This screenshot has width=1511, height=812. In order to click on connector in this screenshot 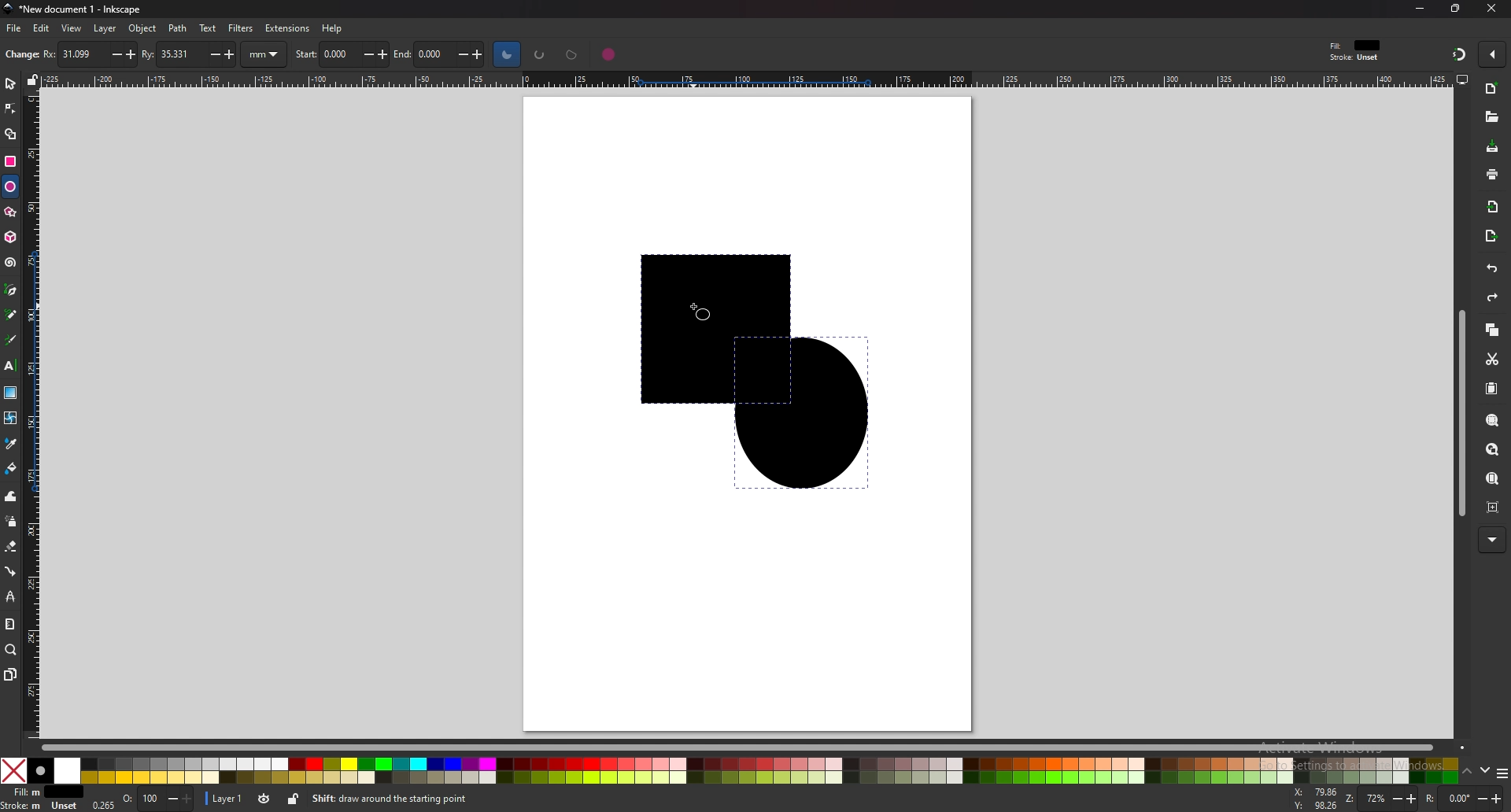, I will do `click(12, 570)`.